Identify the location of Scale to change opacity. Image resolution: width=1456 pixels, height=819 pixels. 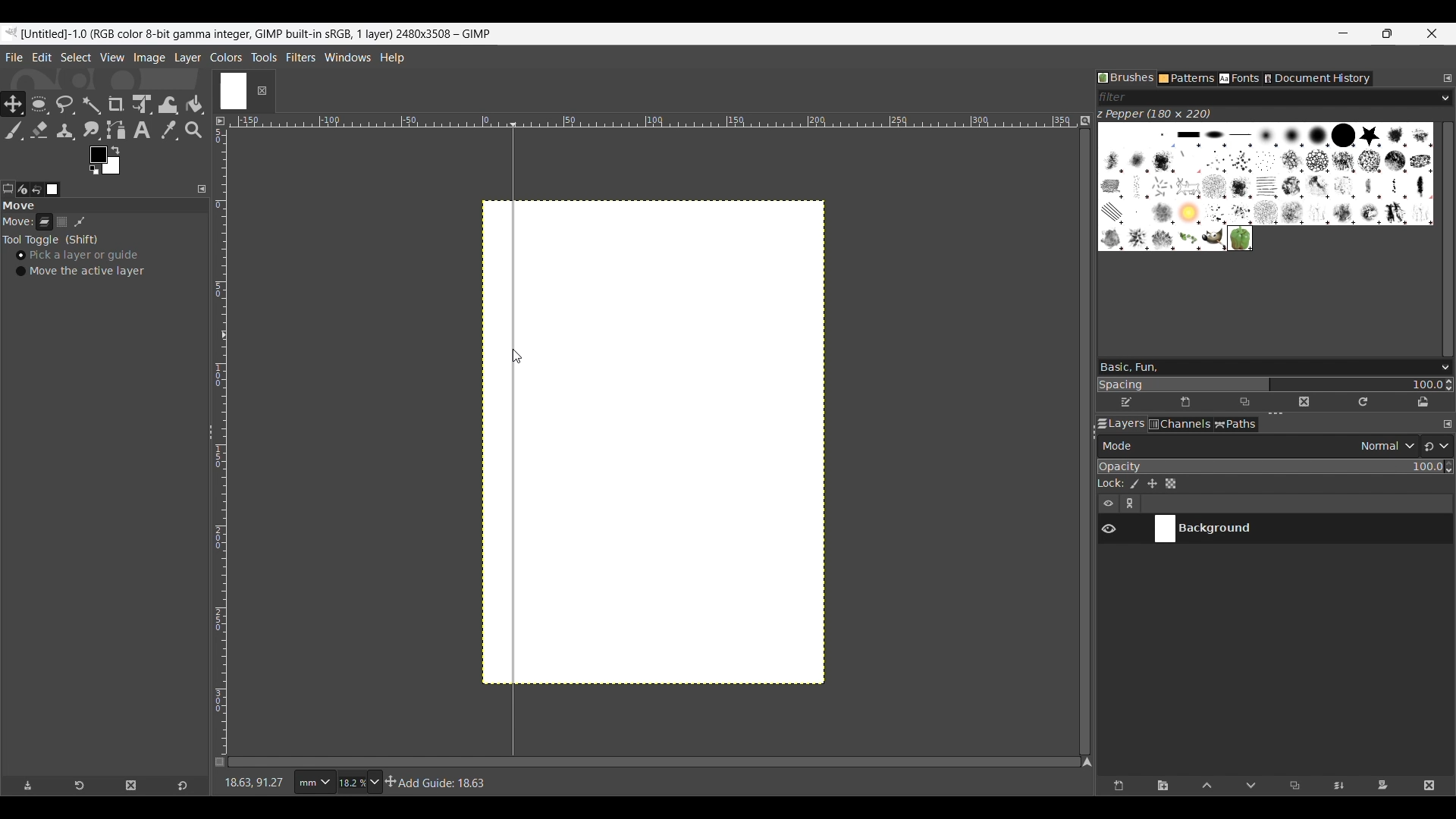
(1271, 466).